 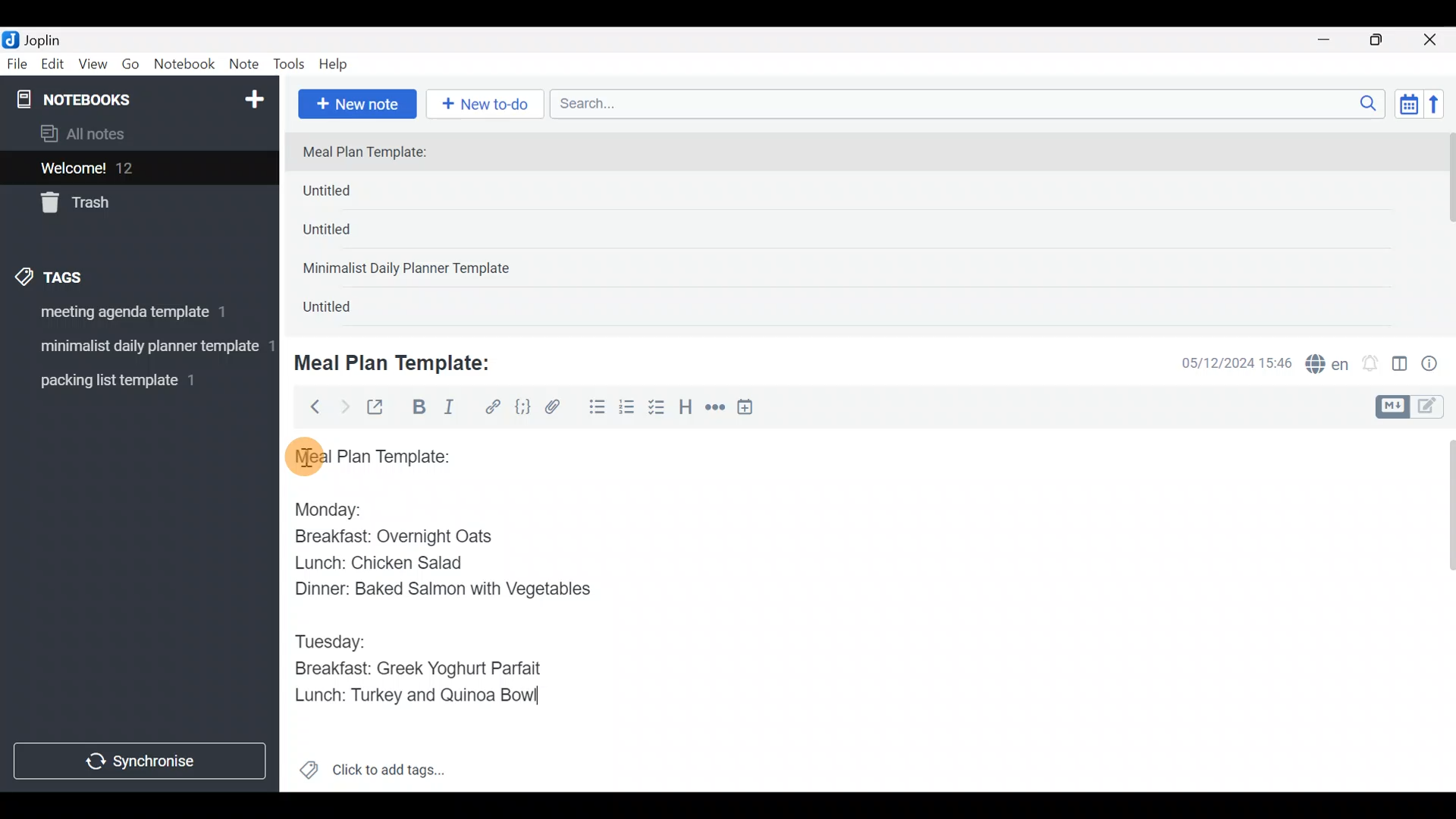 I want to click on Forward, so click(x=344, y=406).